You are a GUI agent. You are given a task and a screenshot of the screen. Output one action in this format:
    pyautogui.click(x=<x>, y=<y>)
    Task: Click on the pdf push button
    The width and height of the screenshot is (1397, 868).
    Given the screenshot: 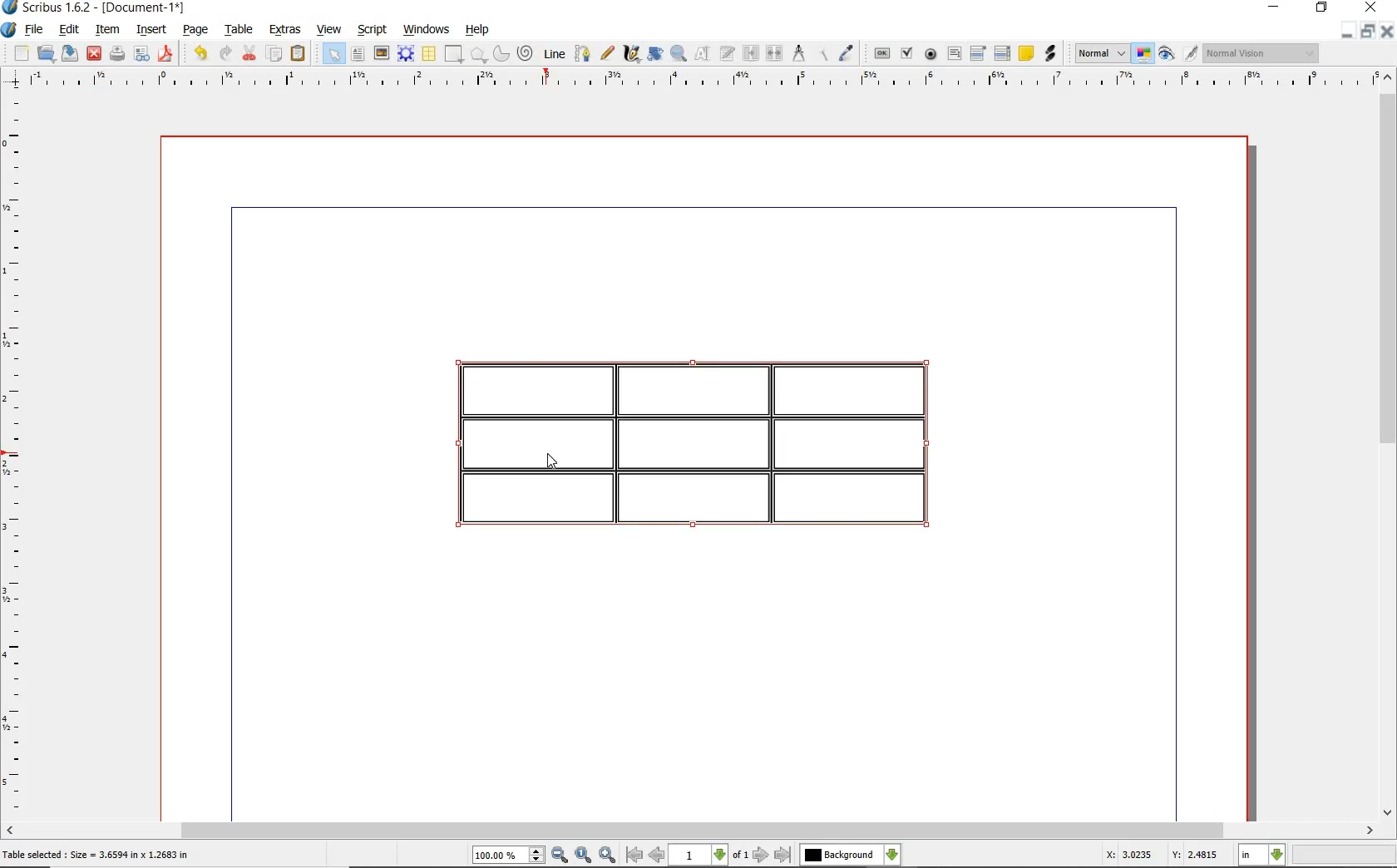 What is the action you would take?
    pyautogui.click(x=882, y=54)
    